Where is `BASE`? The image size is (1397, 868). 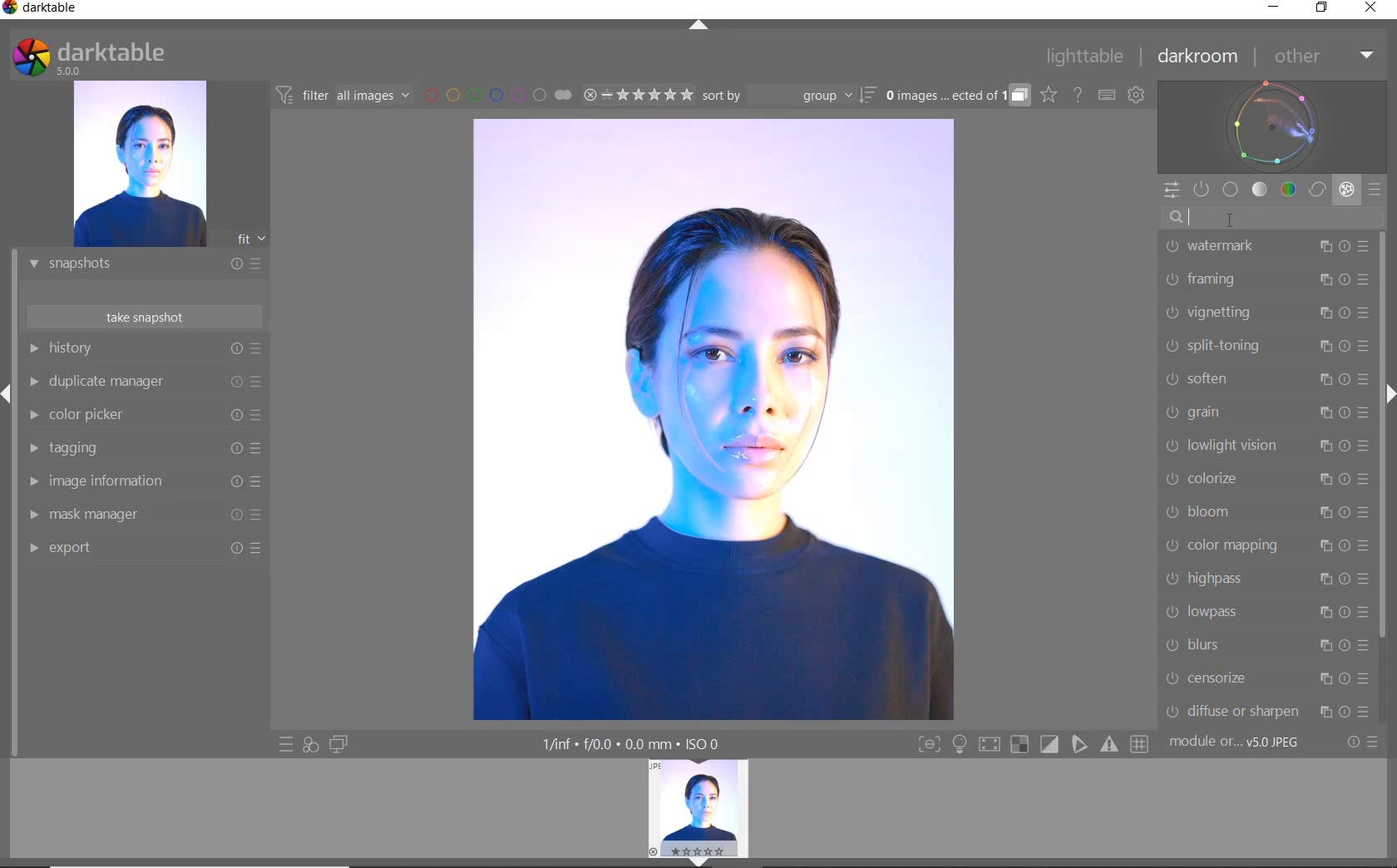
BASE is located at coordinates (1231, 190).